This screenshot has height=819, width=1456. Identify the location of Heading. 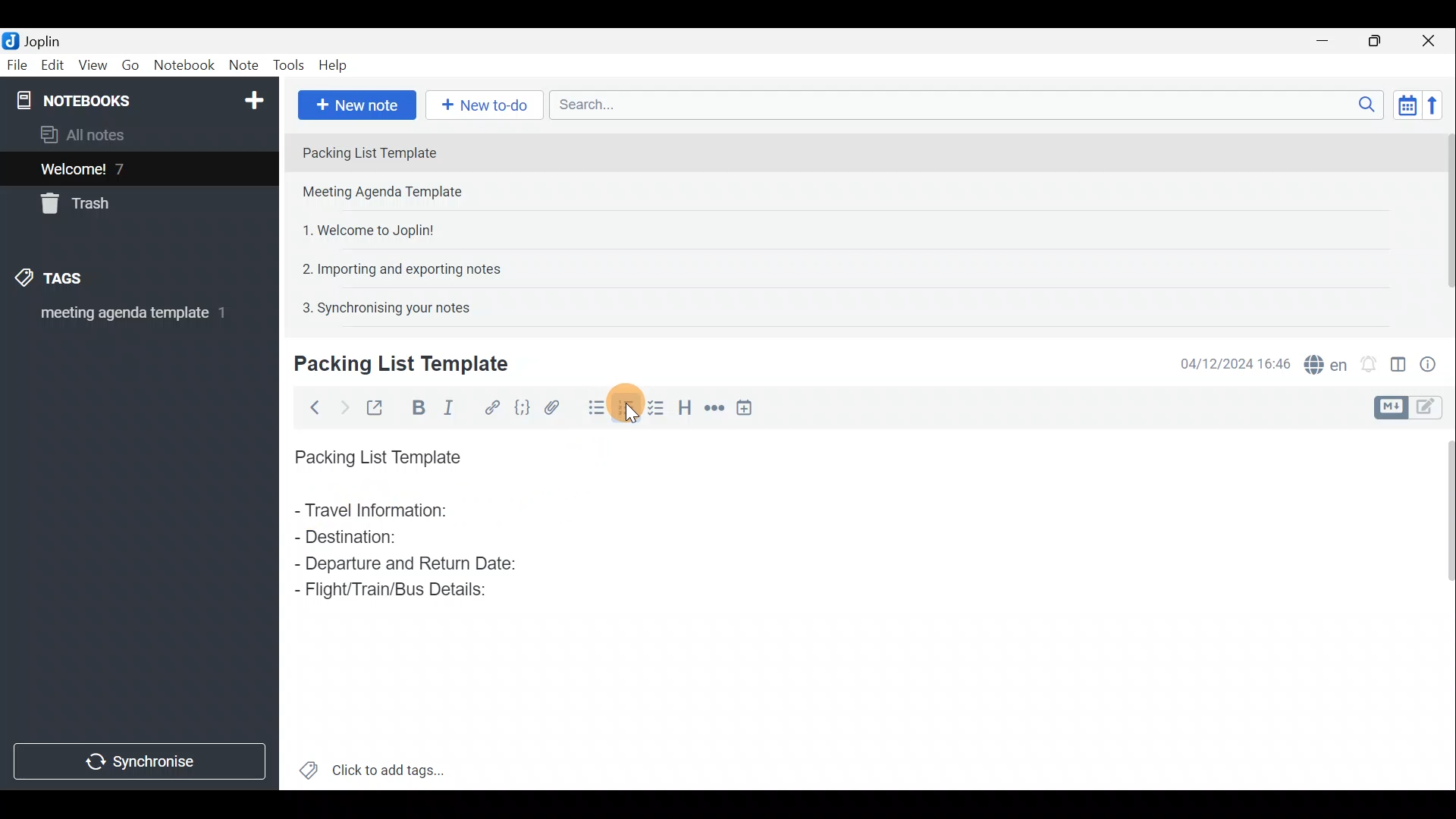
(686, 406).